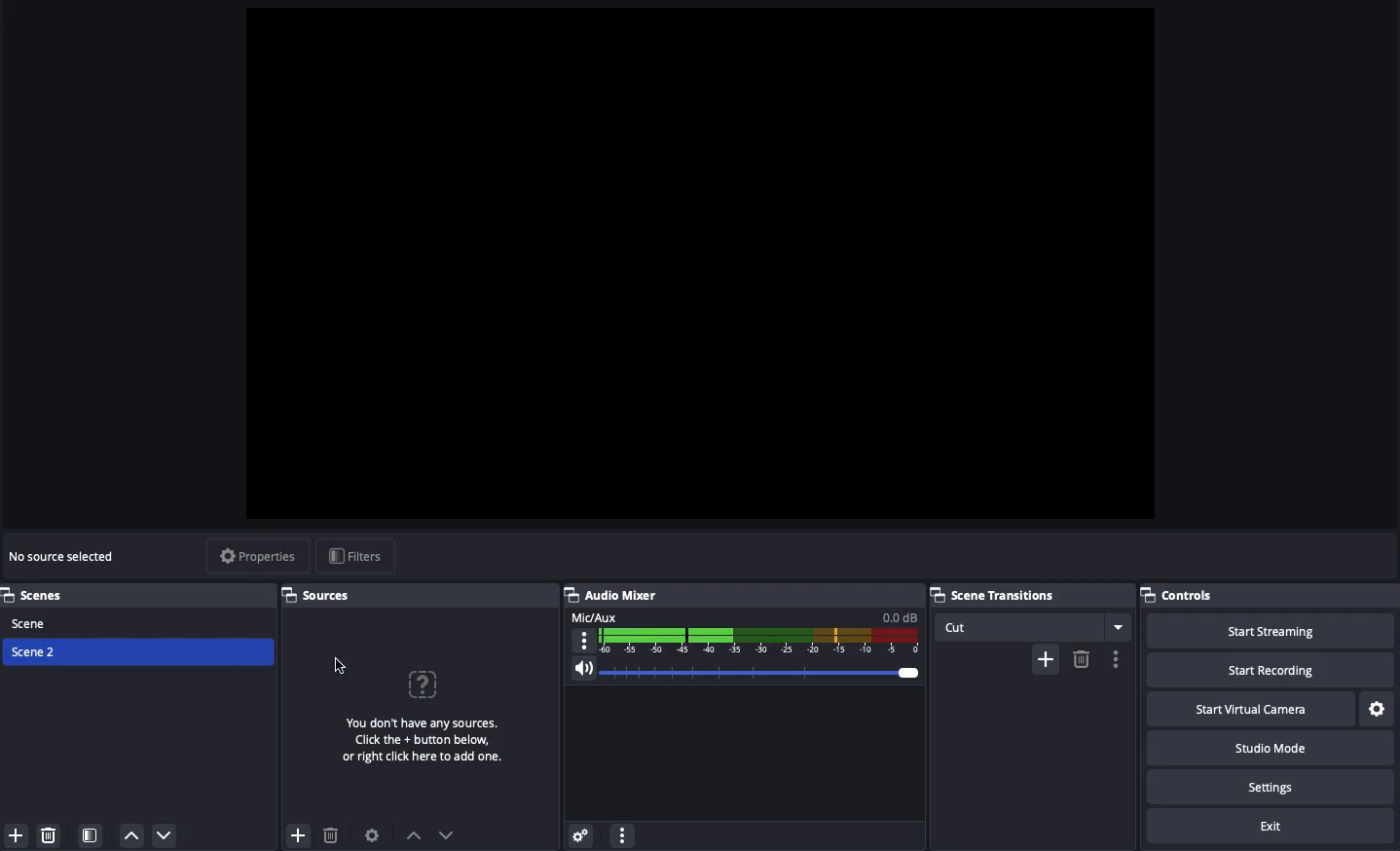  What do you see at coordinates (334, 835) in the screenshot?
I see `delete` at bounding box center [334, 835].